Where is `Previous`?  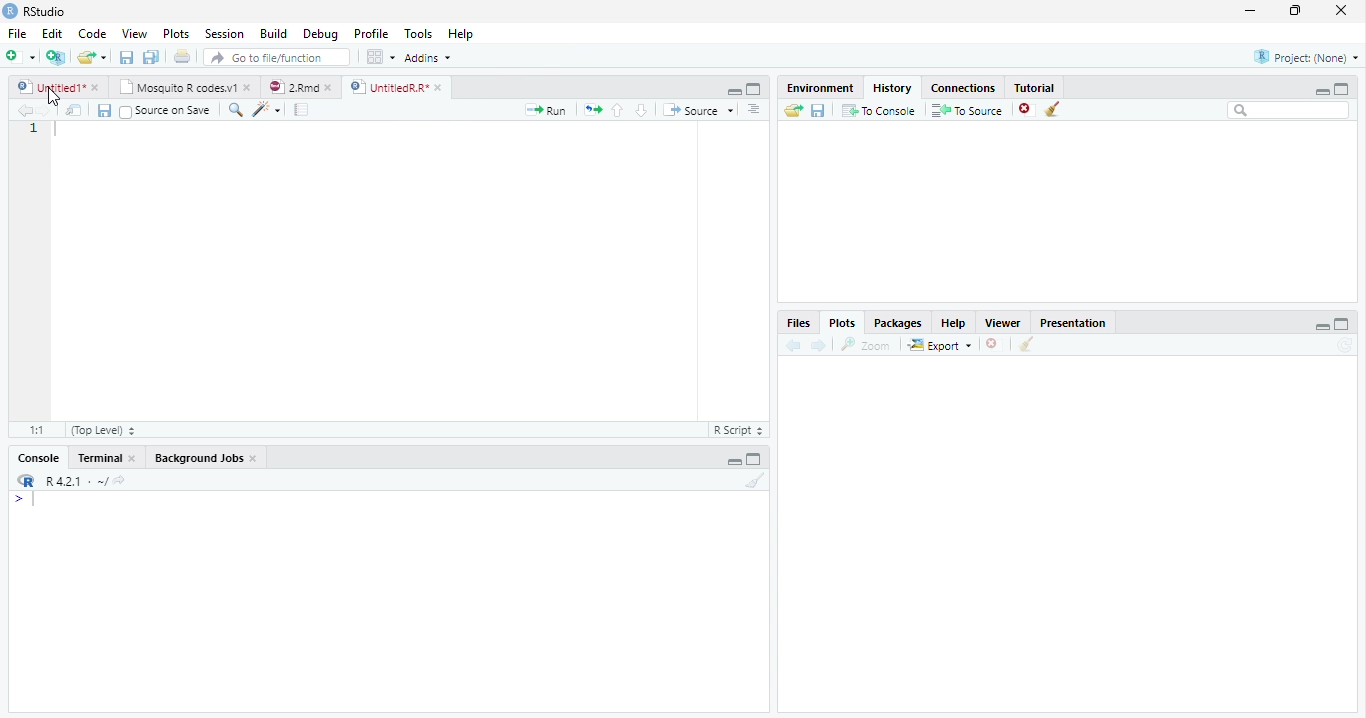 Previous is located at coordinates (22, 111).